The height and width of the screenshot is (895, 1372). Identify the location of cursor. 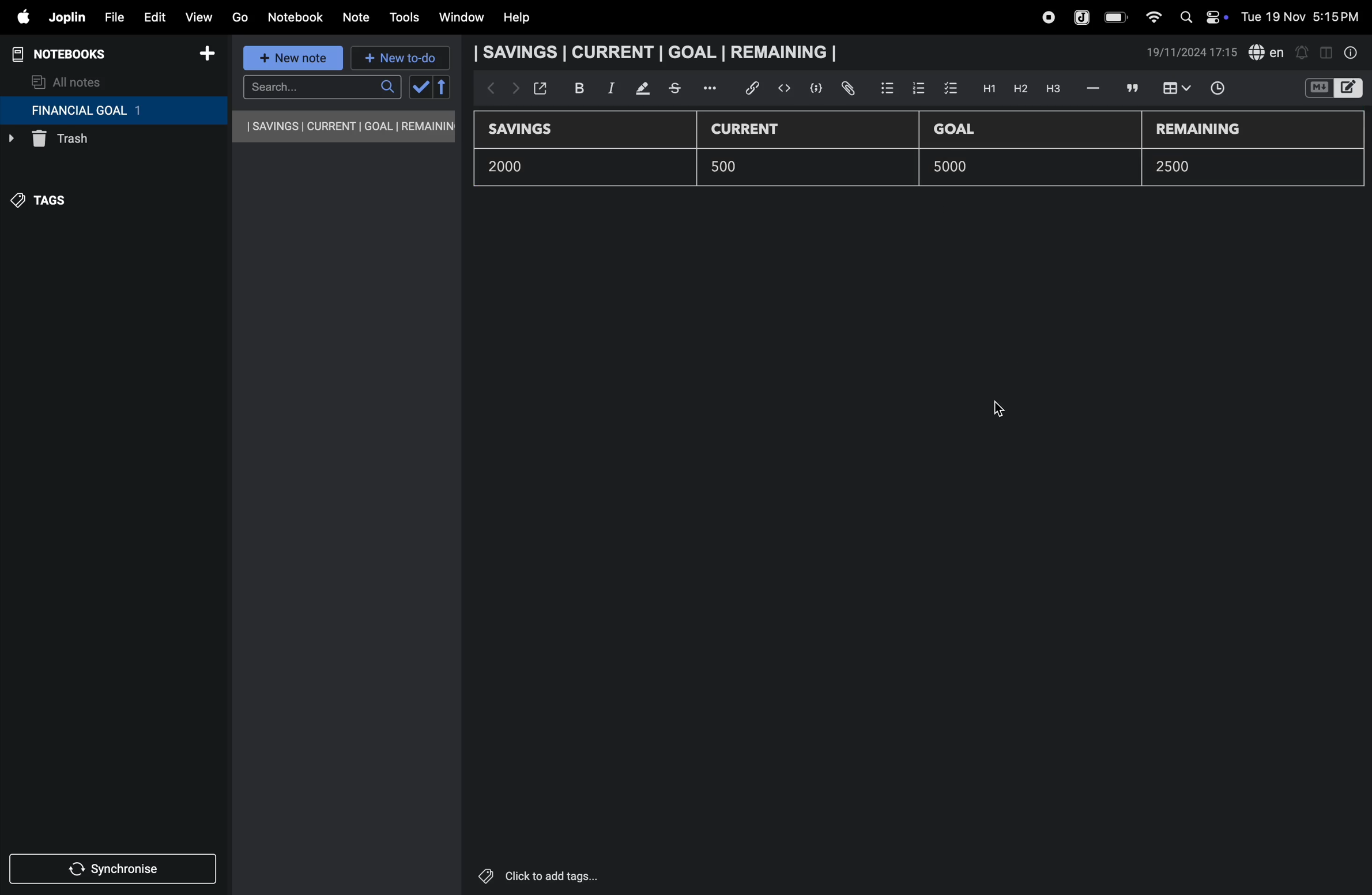
(1001, 412).